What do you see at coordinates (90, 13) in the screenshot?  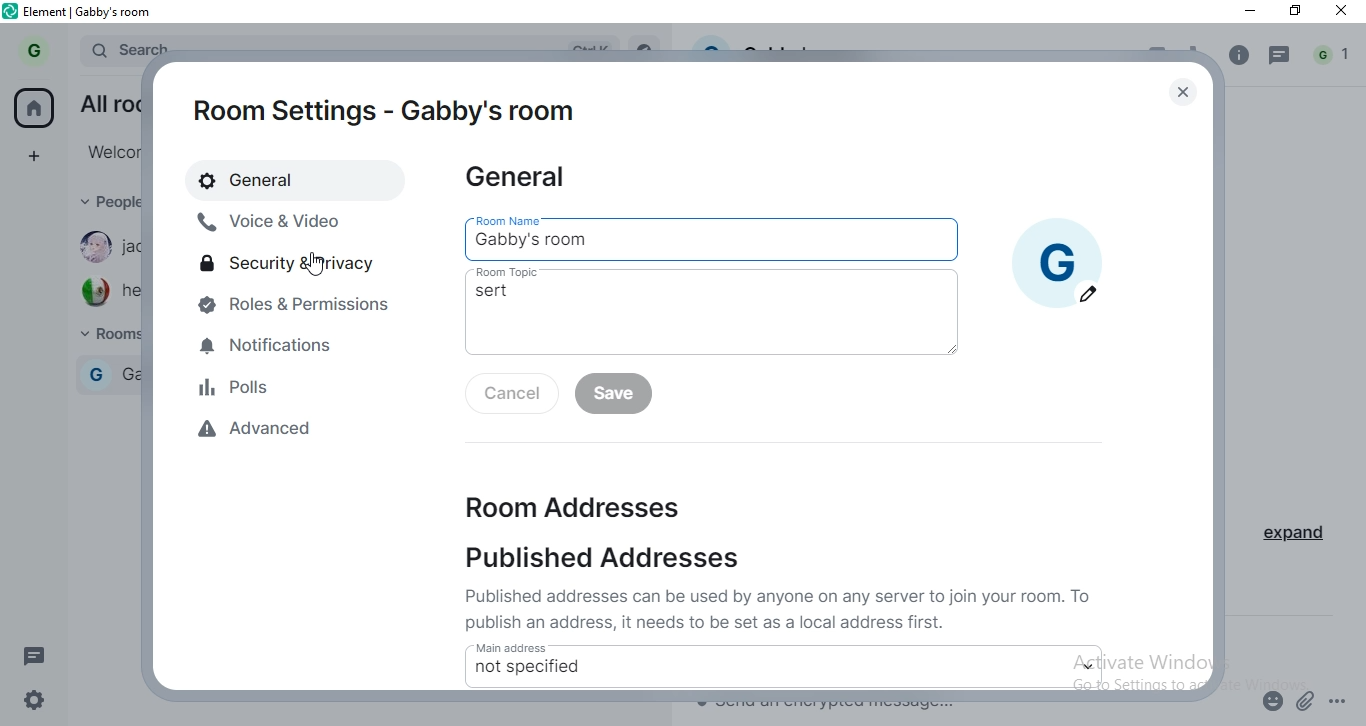 I see `element` at bounding box center [90, 13].